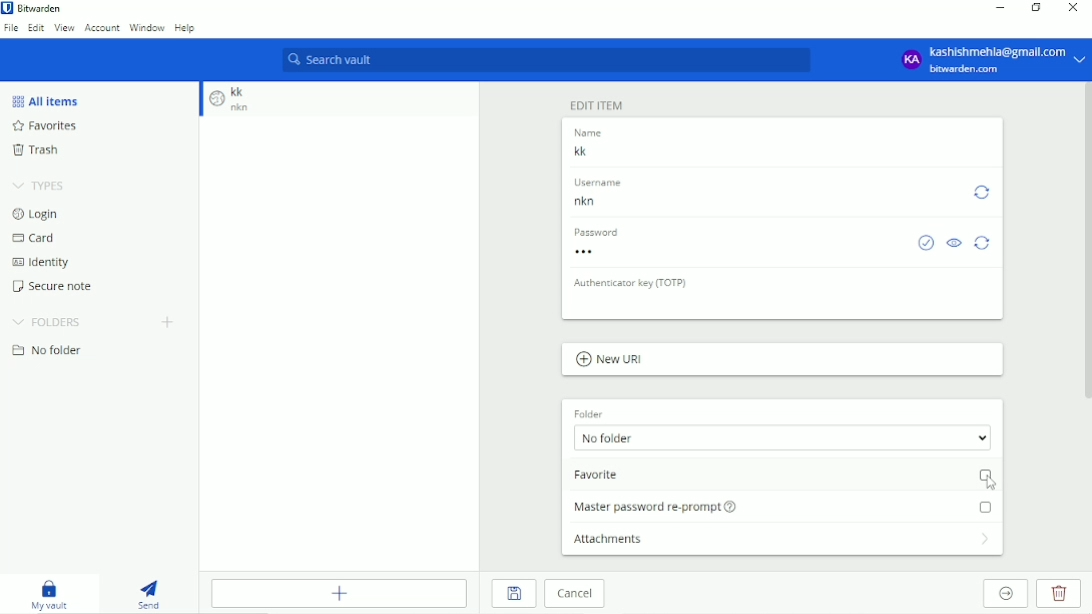 The image size is (1092, 614). What do you see at coordinates (42, 186) in the screenshot?
I see `Types` at bounding box center [42, 186].